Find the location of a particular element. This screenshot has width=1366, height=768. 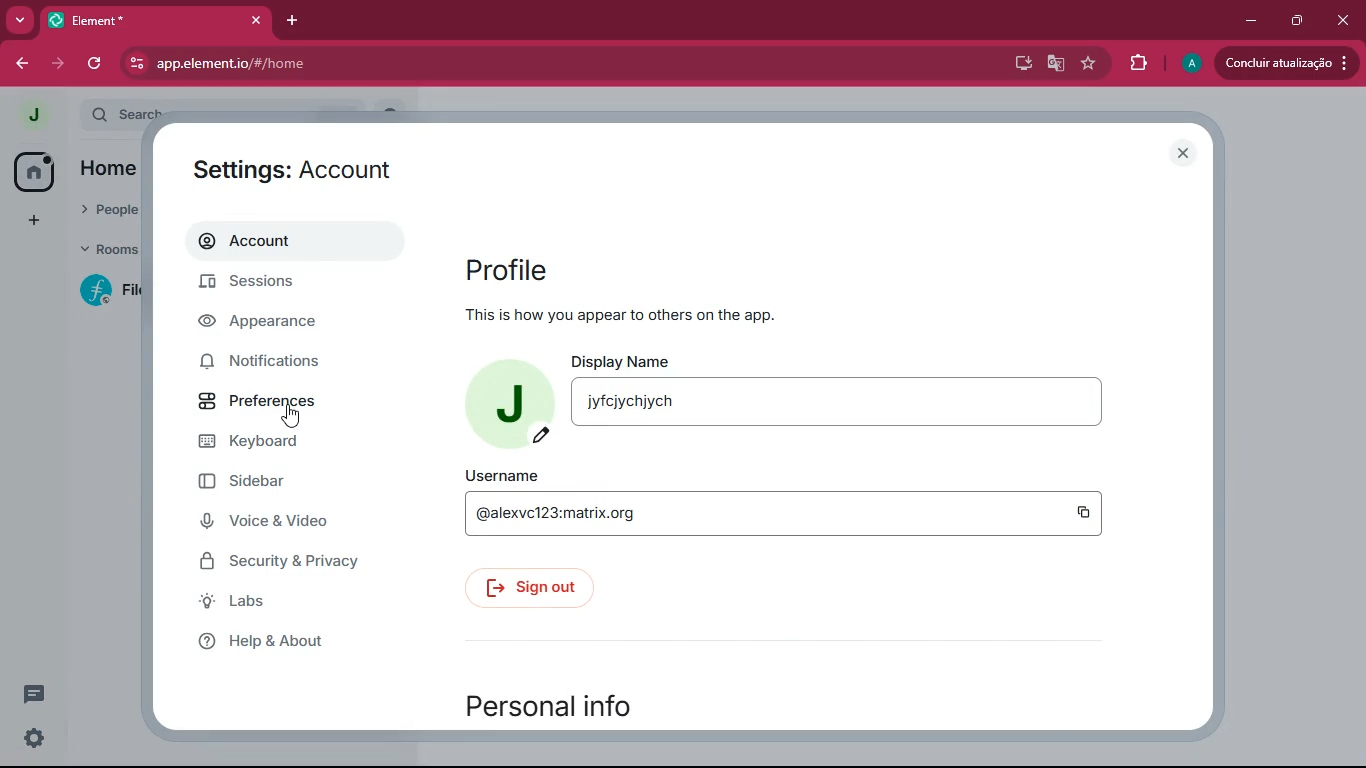

close is located at coordinates (1183, 153).